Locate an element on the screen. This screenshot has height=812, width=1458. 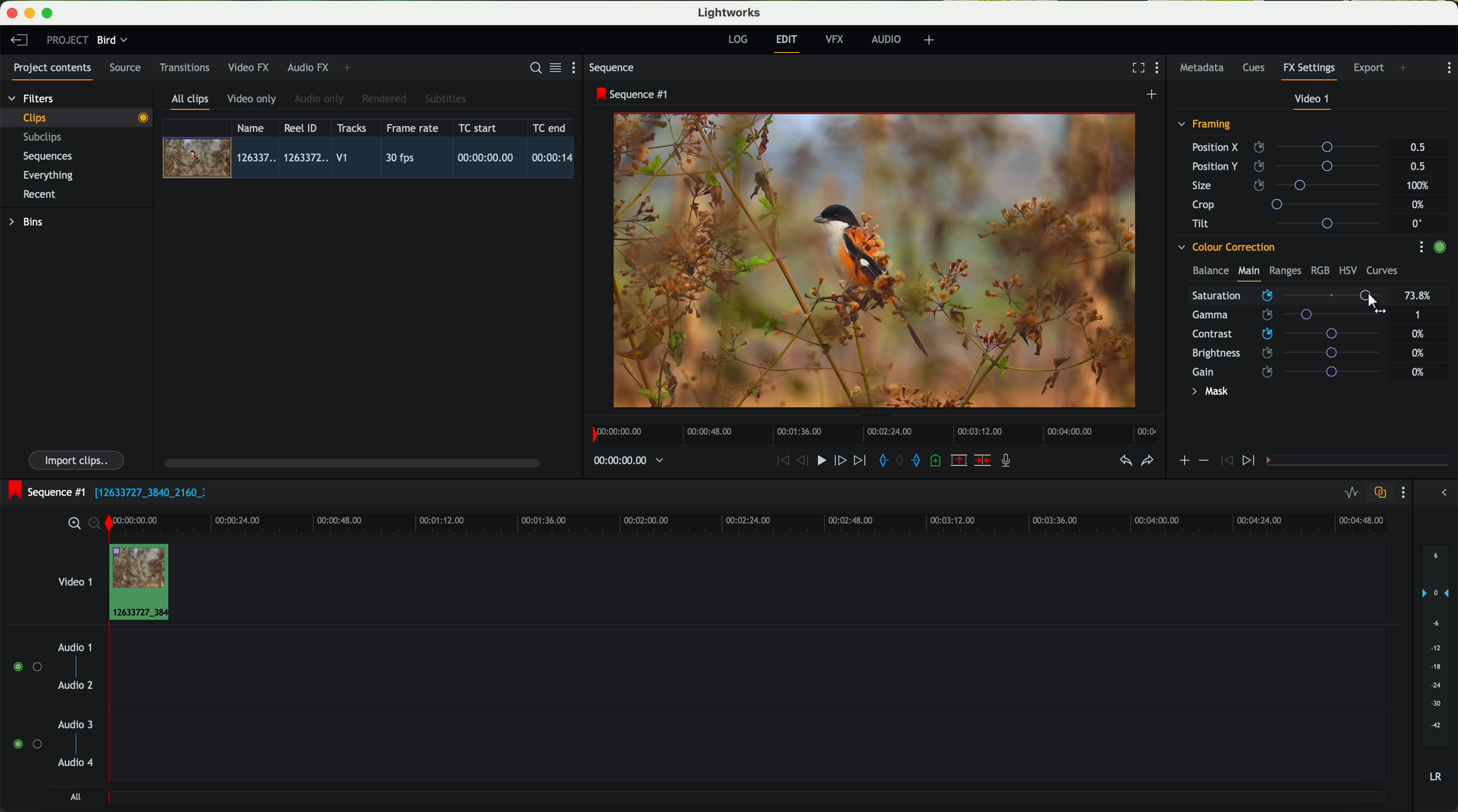
main is located at coordinates (1249, 273).